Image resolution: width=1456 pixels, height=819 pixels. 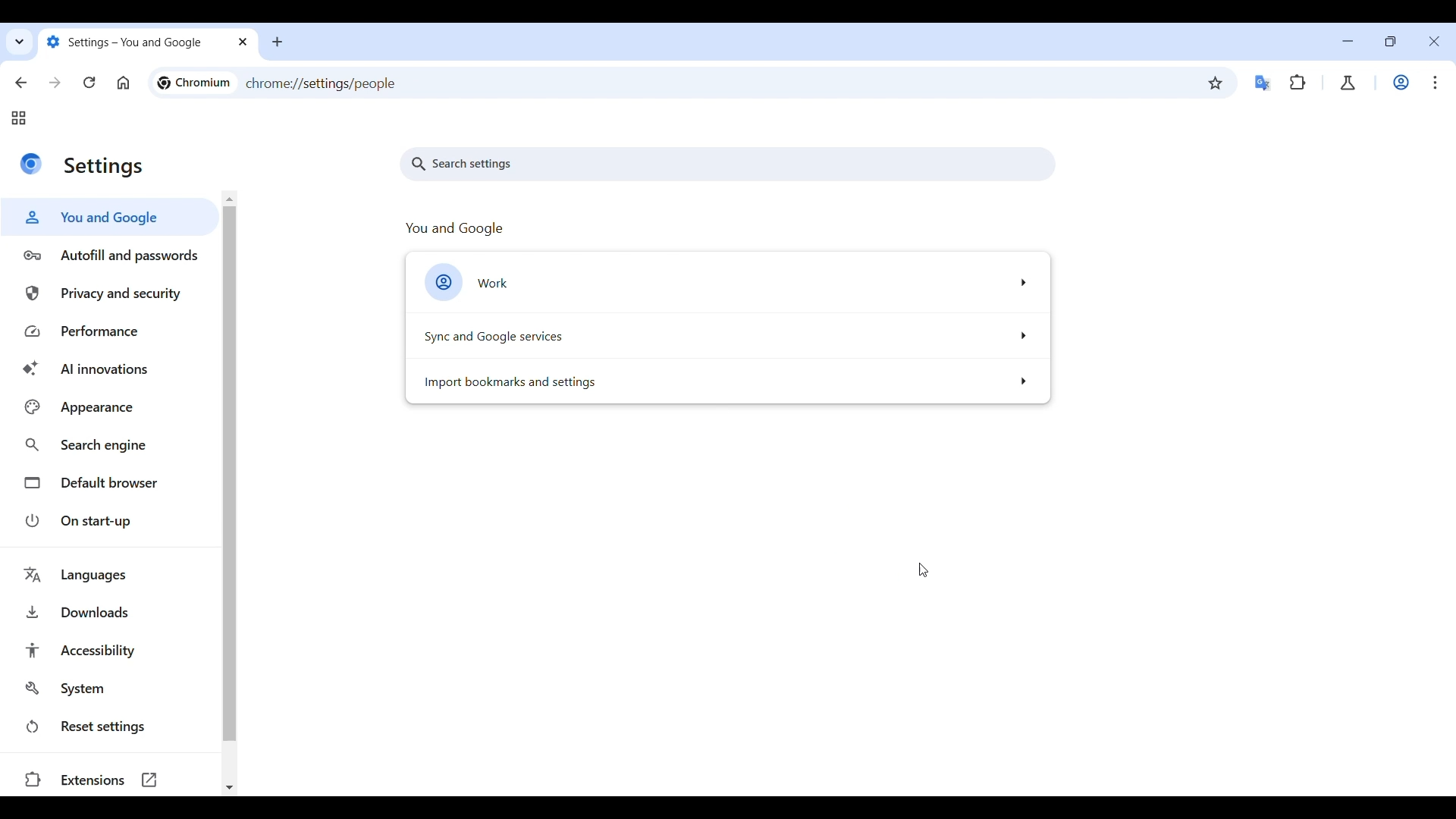 I want to click on Reload page, so click(x=89, y=82).